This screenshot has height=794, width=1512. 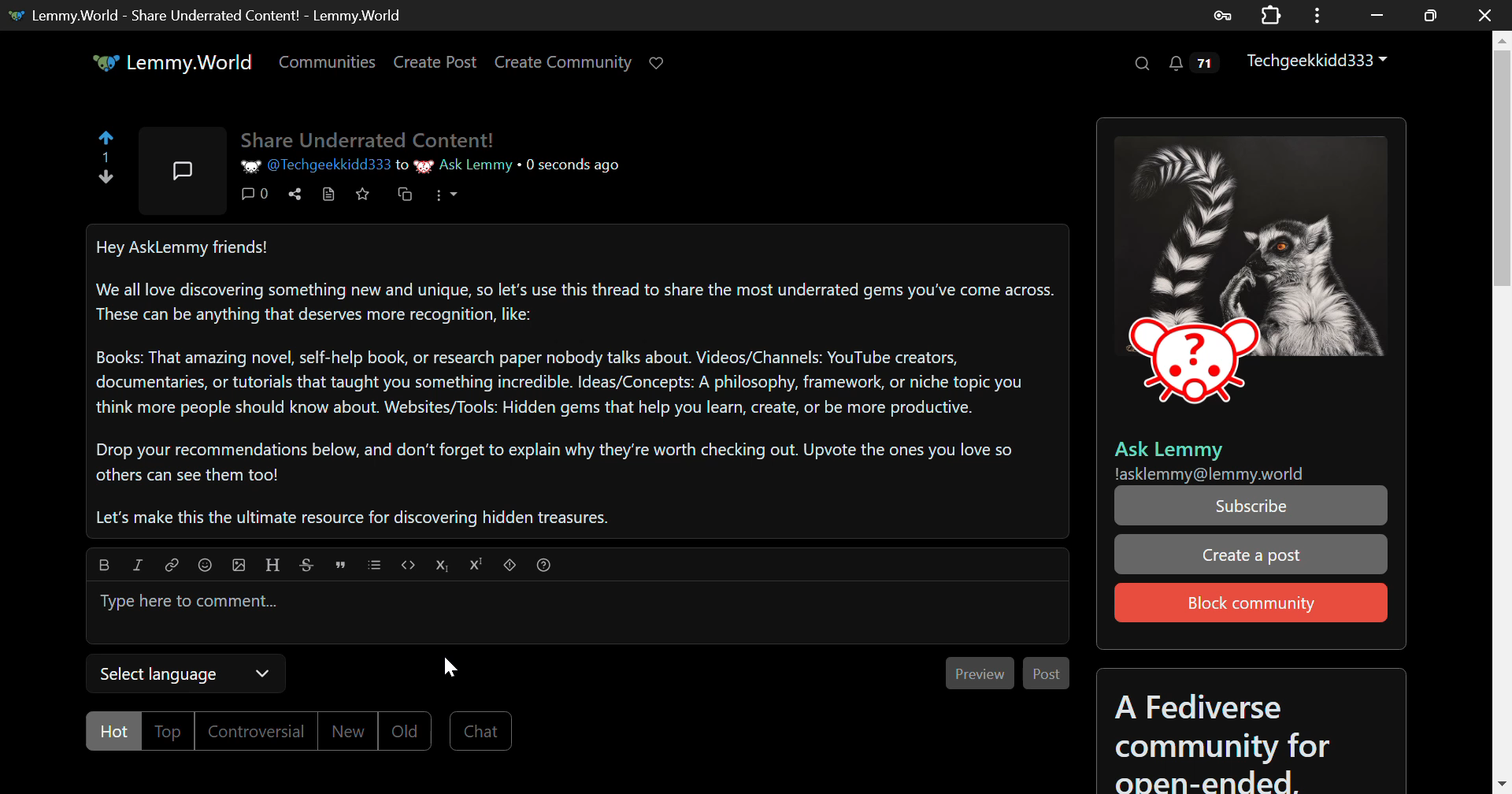 I want to click on Subscribe, so click(x=1251, y=506).